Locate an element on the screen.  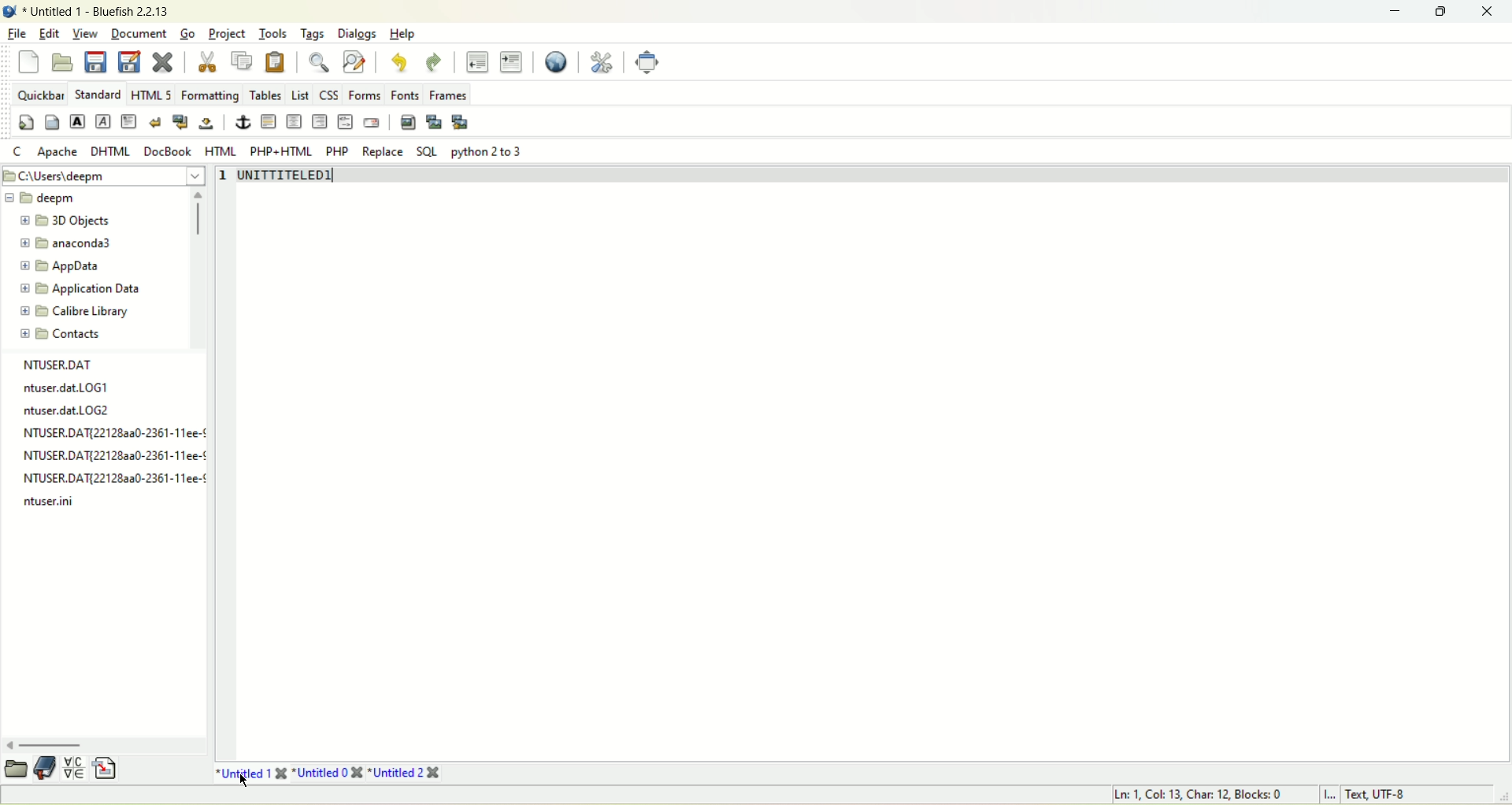
Fonts  is located at coordinates (403, 92).